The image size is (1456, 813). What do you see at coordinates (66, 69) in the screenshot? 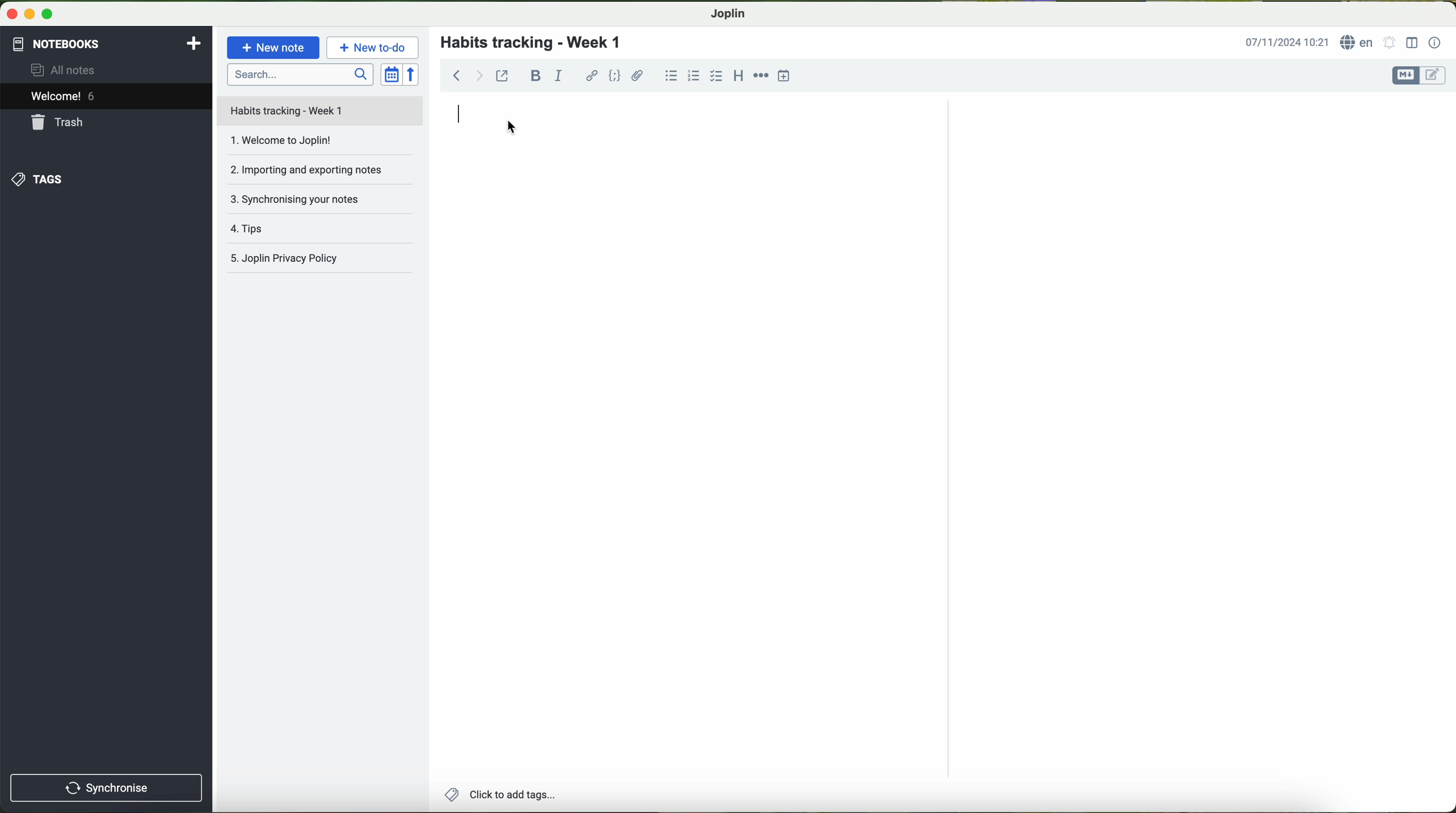
I see `all notes` at bounding box center [66, 69].